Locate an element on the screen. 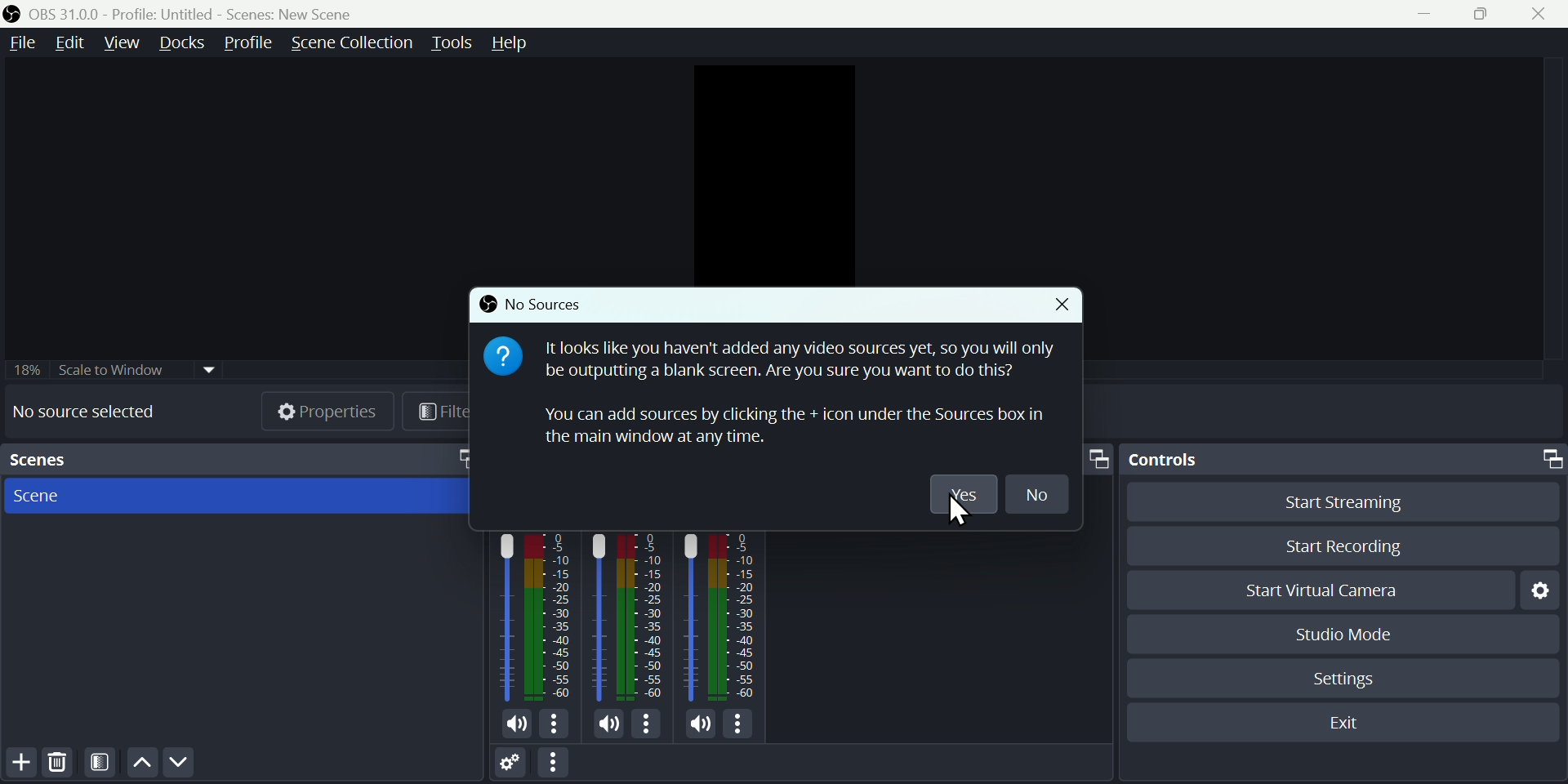 This screenshot has height=784, width=1568. No sources is located at coordinates (529, 305).